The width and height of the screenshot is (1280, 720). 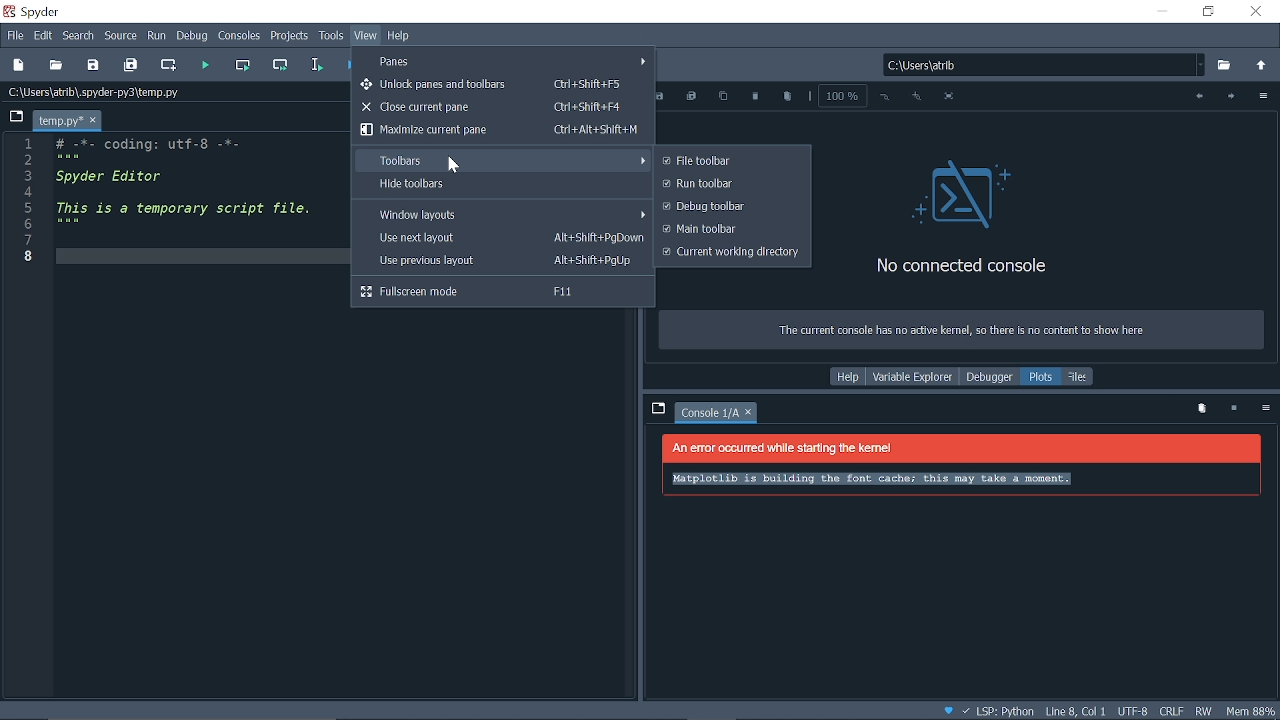 What do you see at coordinates (1042, 377) in the screenshot?
I see `Plots` at bounding box center [1042, 377].